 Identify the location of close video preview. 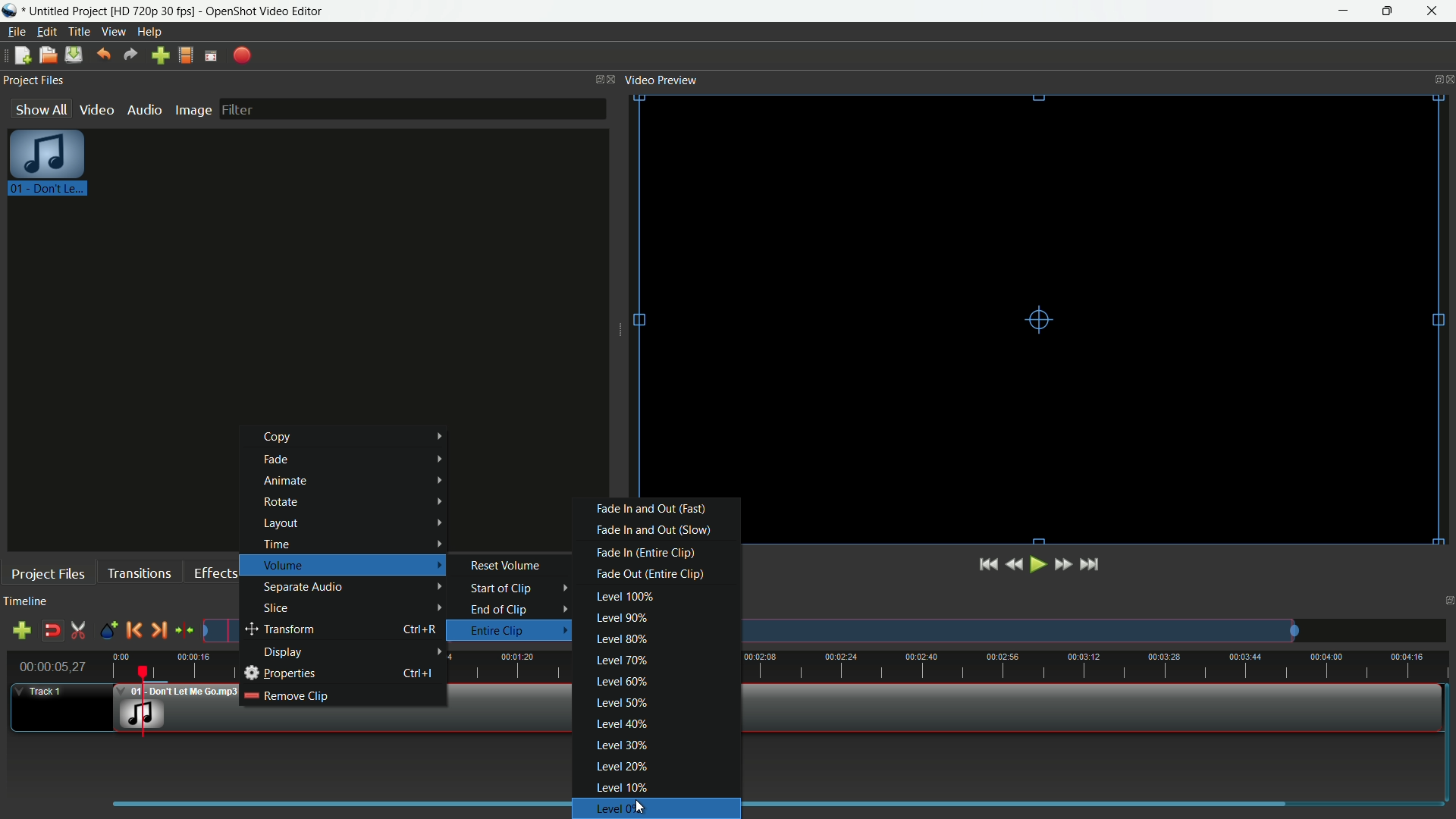
(1447, 78).